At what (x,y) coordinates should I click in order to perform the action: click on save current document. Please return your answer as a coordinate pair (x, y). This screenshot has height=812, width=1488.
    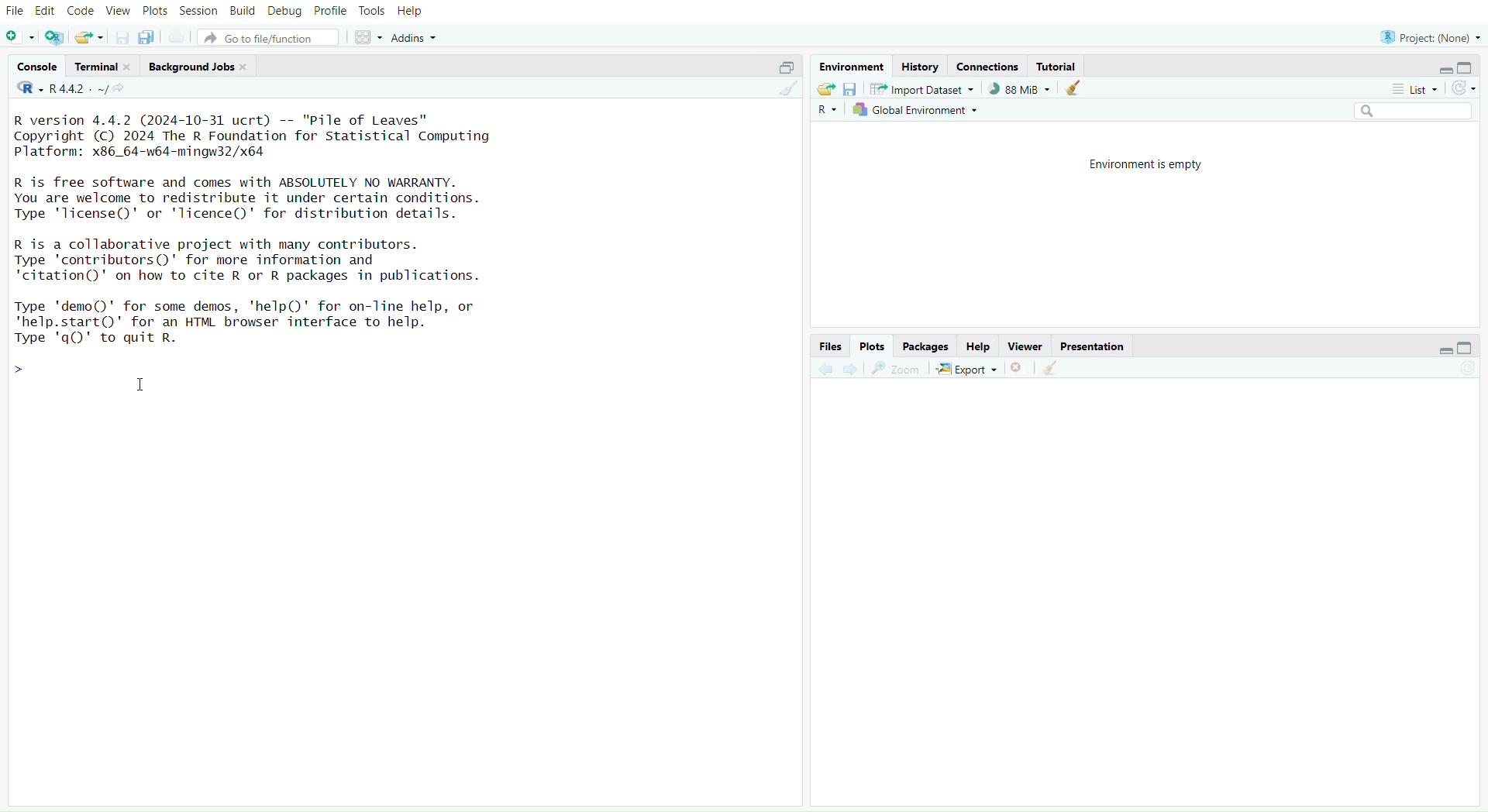
    Looking at the image, I should click on (122, 39).